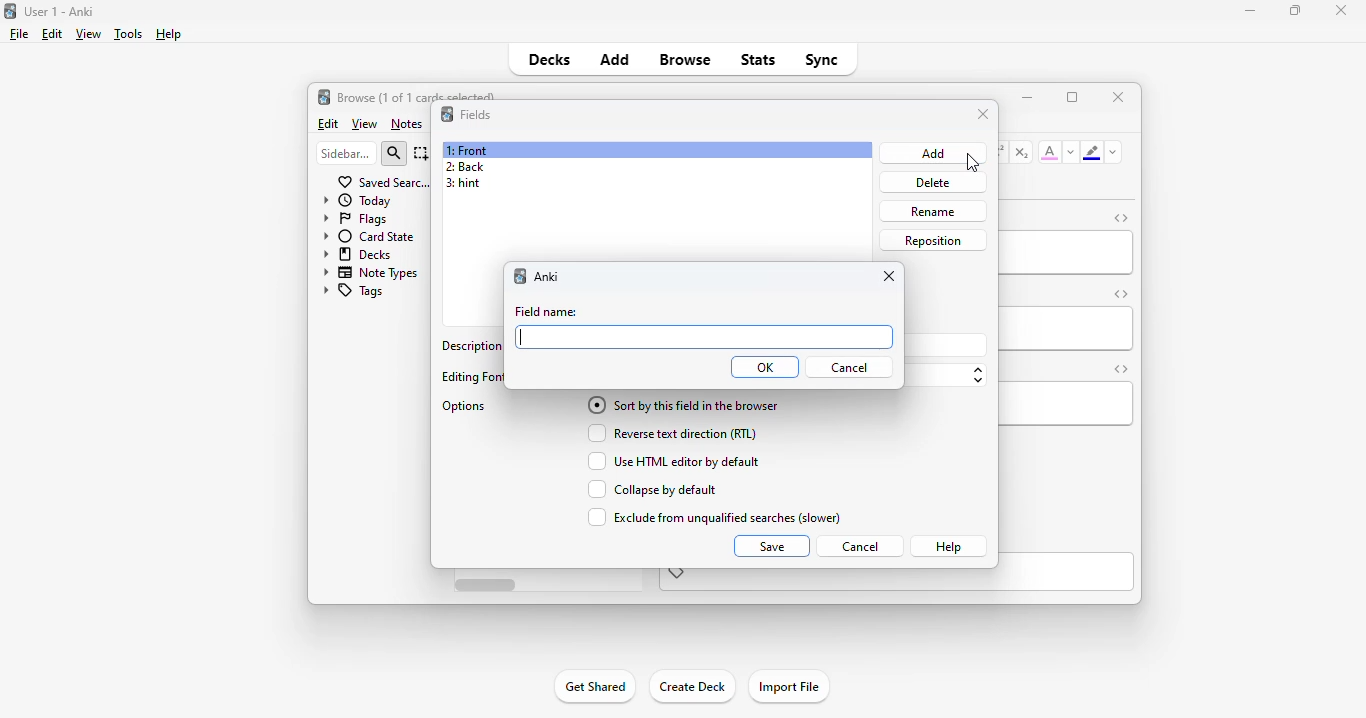 The height and width of the screenshot is (718, 1366). What do you see at coordinates (469, 150) in the screenshot?
I see `1: front` at bounding box center [469, 150].